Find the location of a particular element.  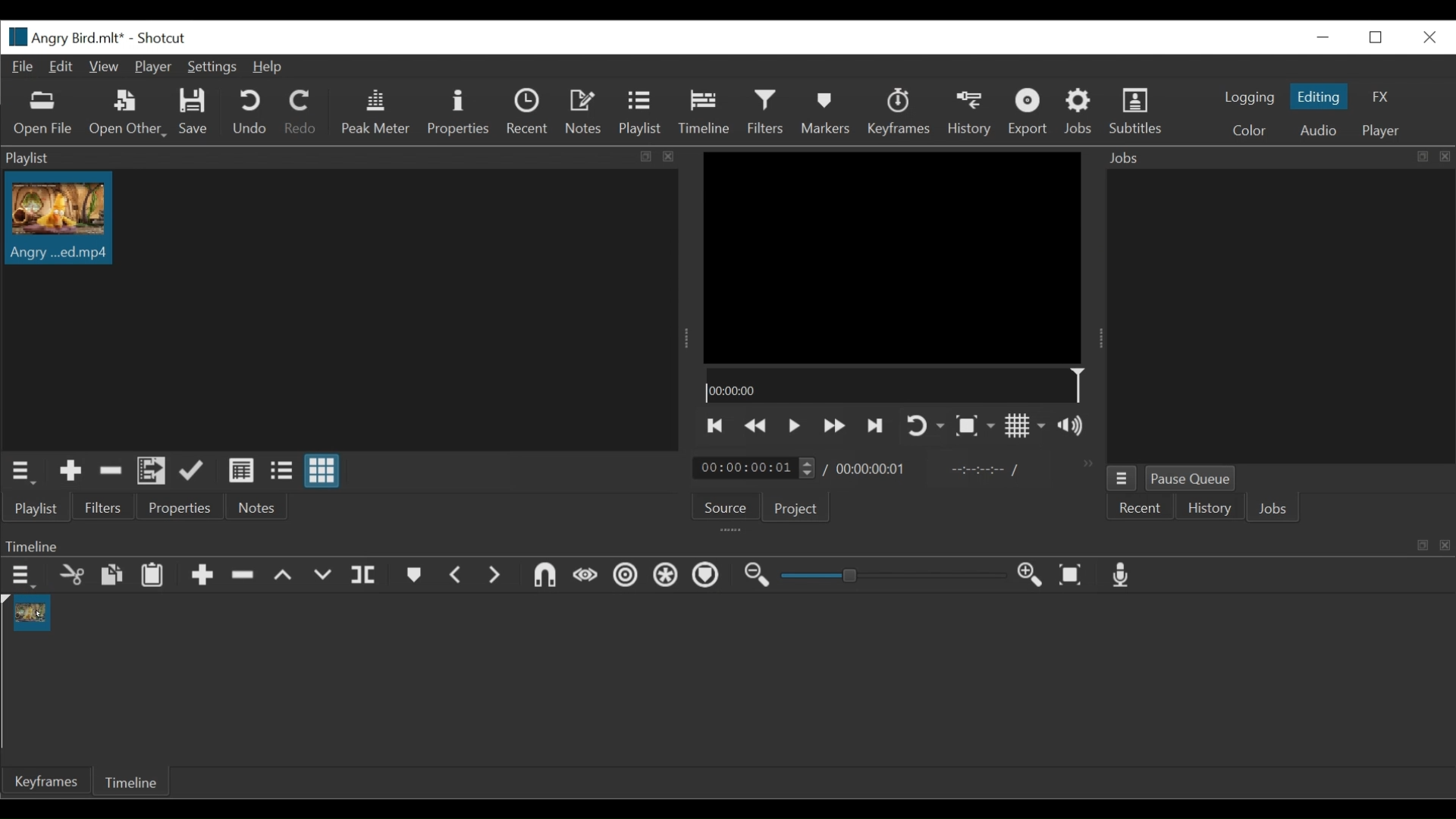

Overwrite is located at coordinates (324, 577).